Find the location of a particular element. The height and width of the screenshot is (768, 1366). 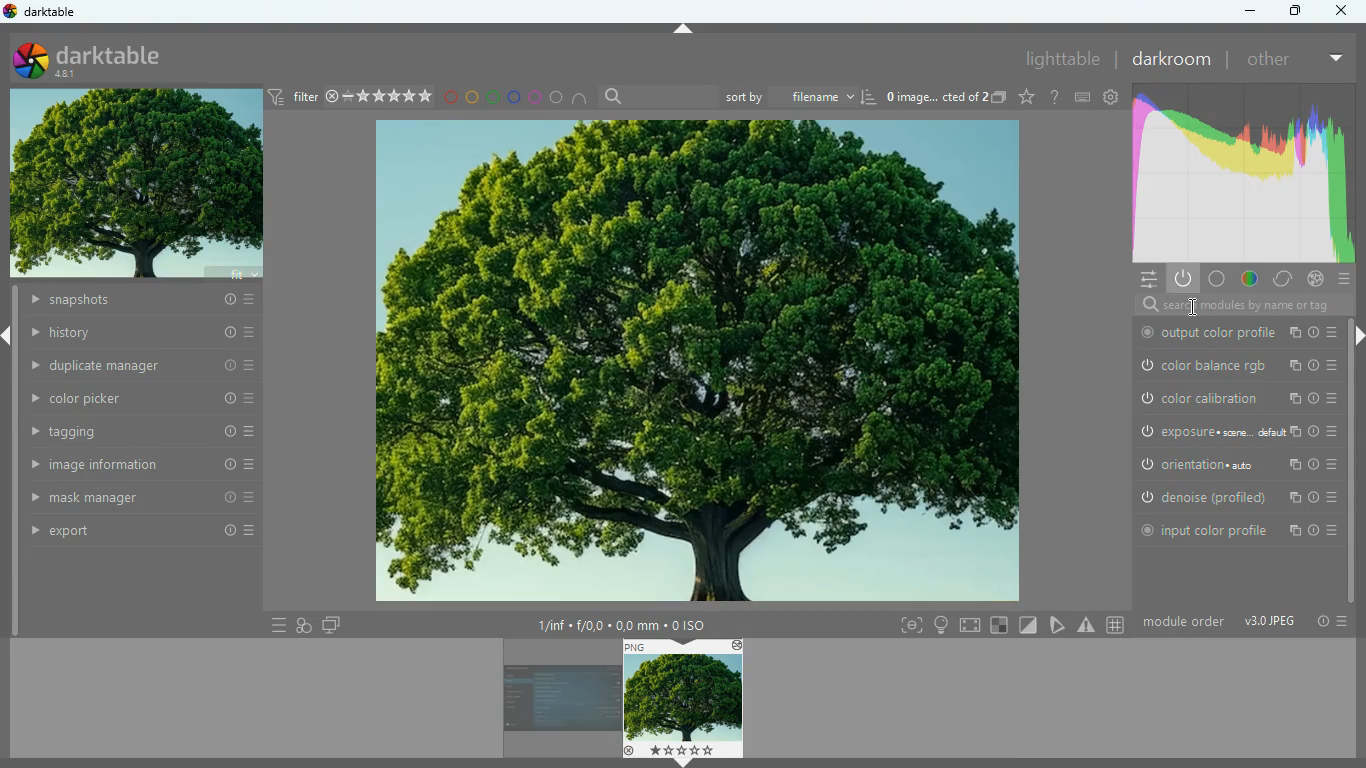

semi circle is located at coordinates (581, 98).